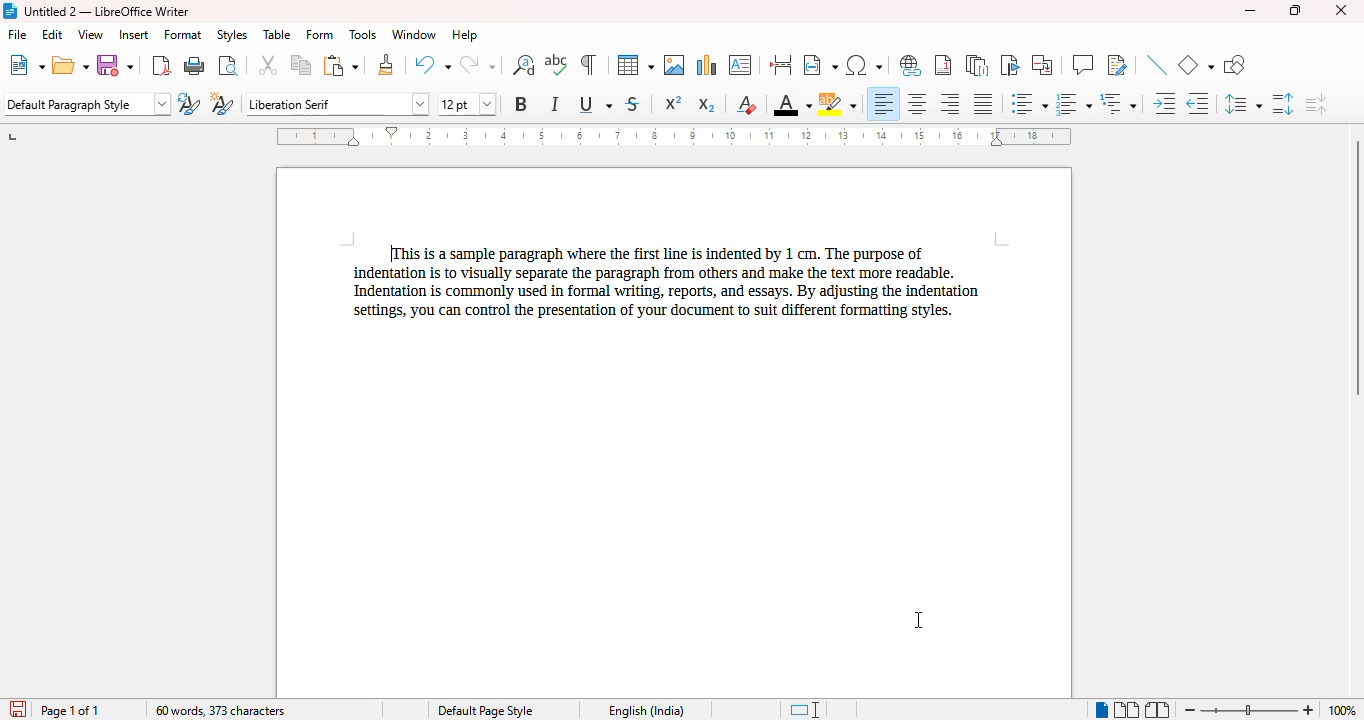  I want to click on vertical scroll bar, so click(1355, 267).